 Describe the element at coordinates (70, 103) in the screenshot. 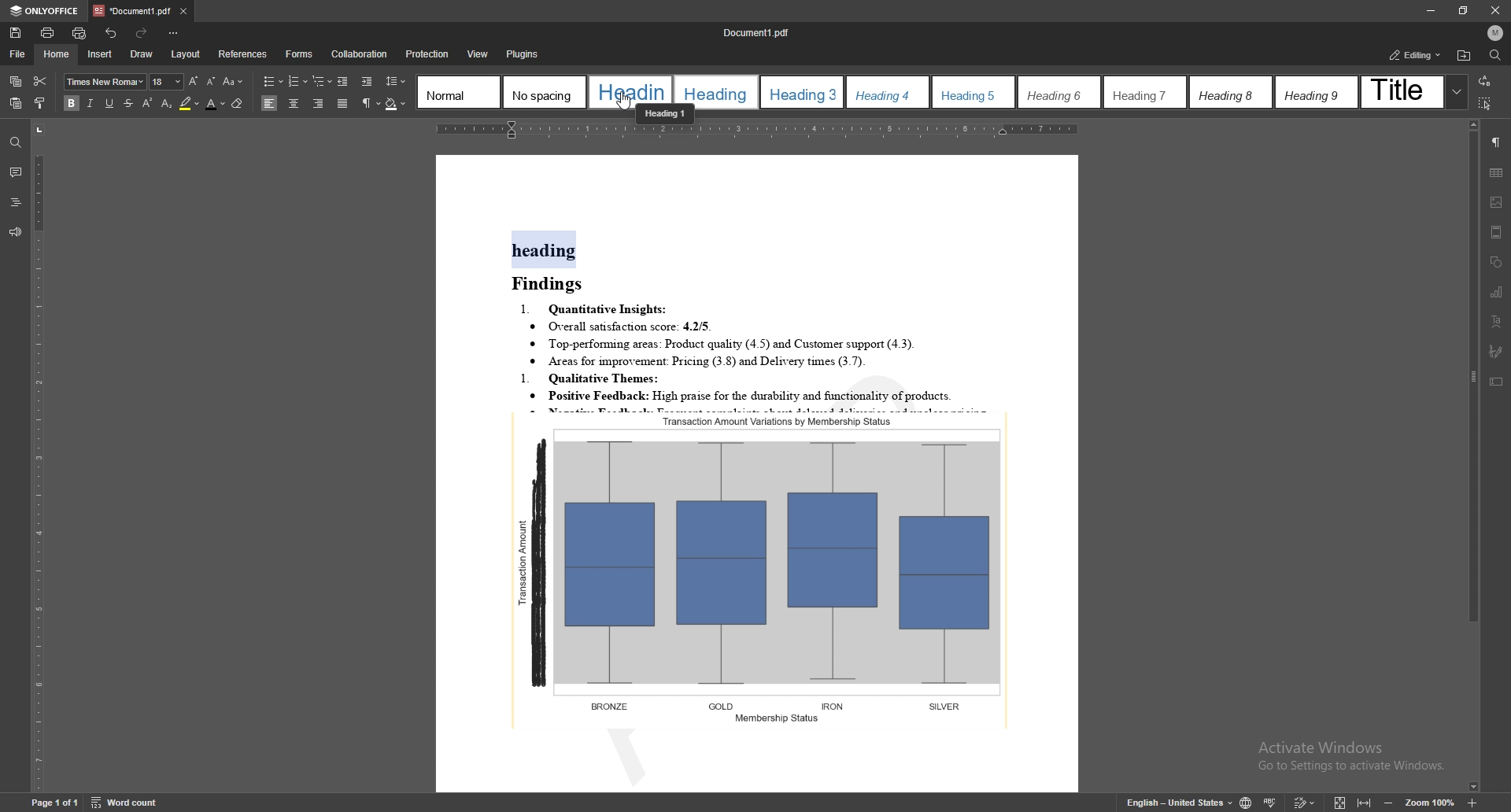

I see `bold` at that location.